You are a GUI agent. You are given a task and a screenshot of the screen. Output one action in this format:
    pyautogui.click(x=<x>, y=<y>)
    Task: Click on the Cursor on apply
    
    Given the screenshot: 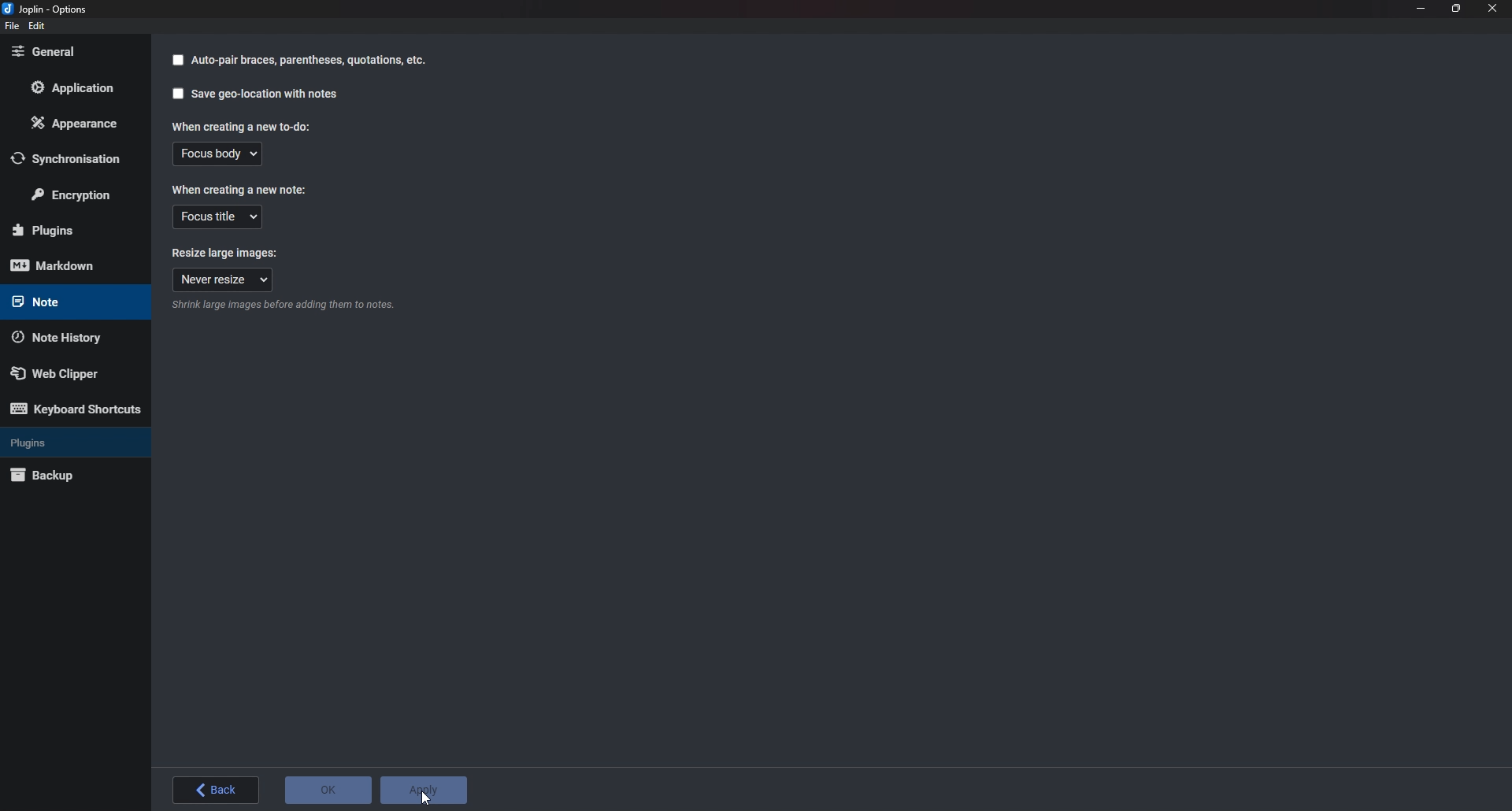 What is the action you would take?
    pyautogui.click(x=426, y=792)
    